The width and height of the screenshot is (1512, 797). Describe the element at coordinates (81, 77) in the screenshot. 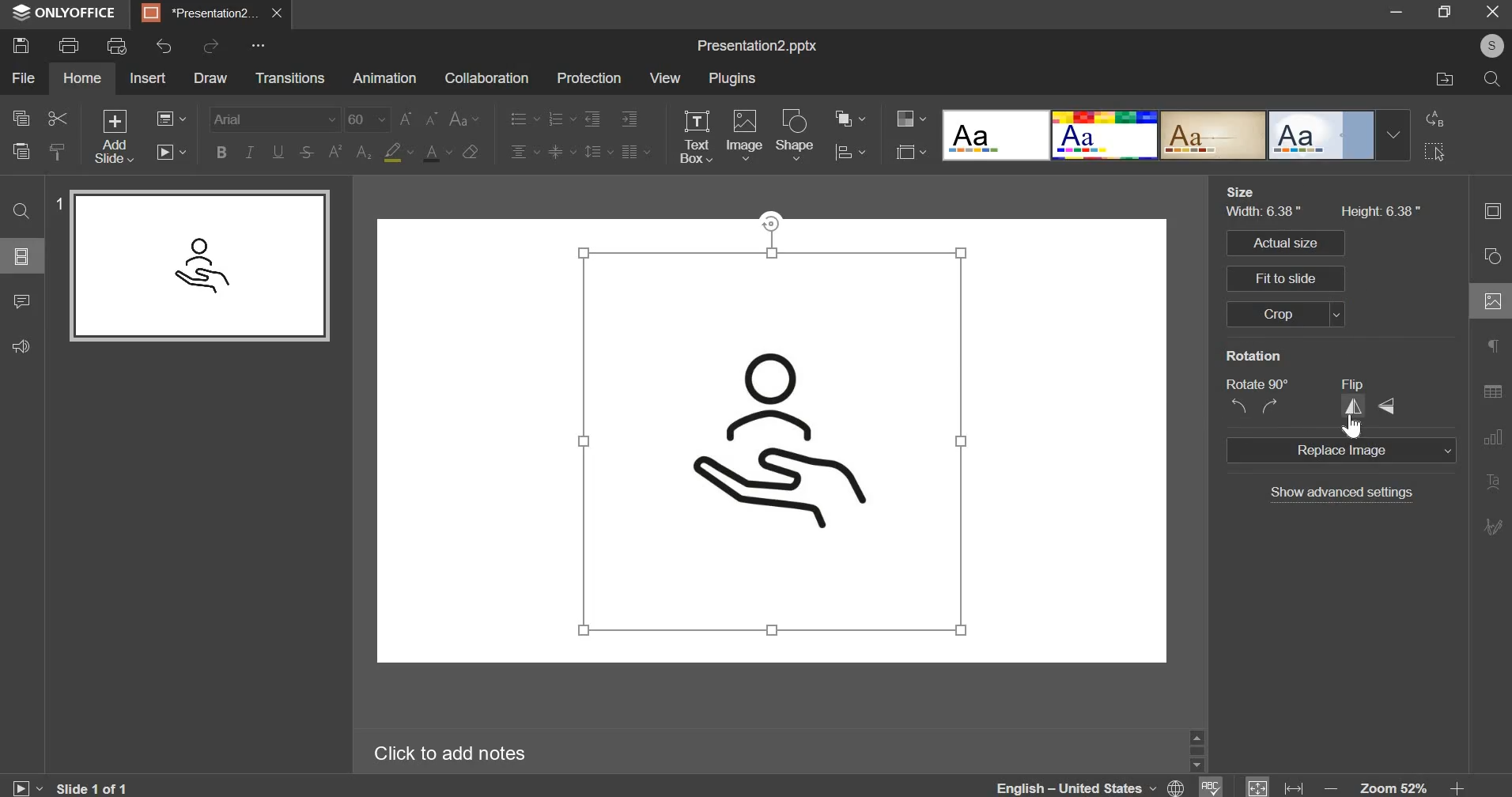

I see `home` at that location.